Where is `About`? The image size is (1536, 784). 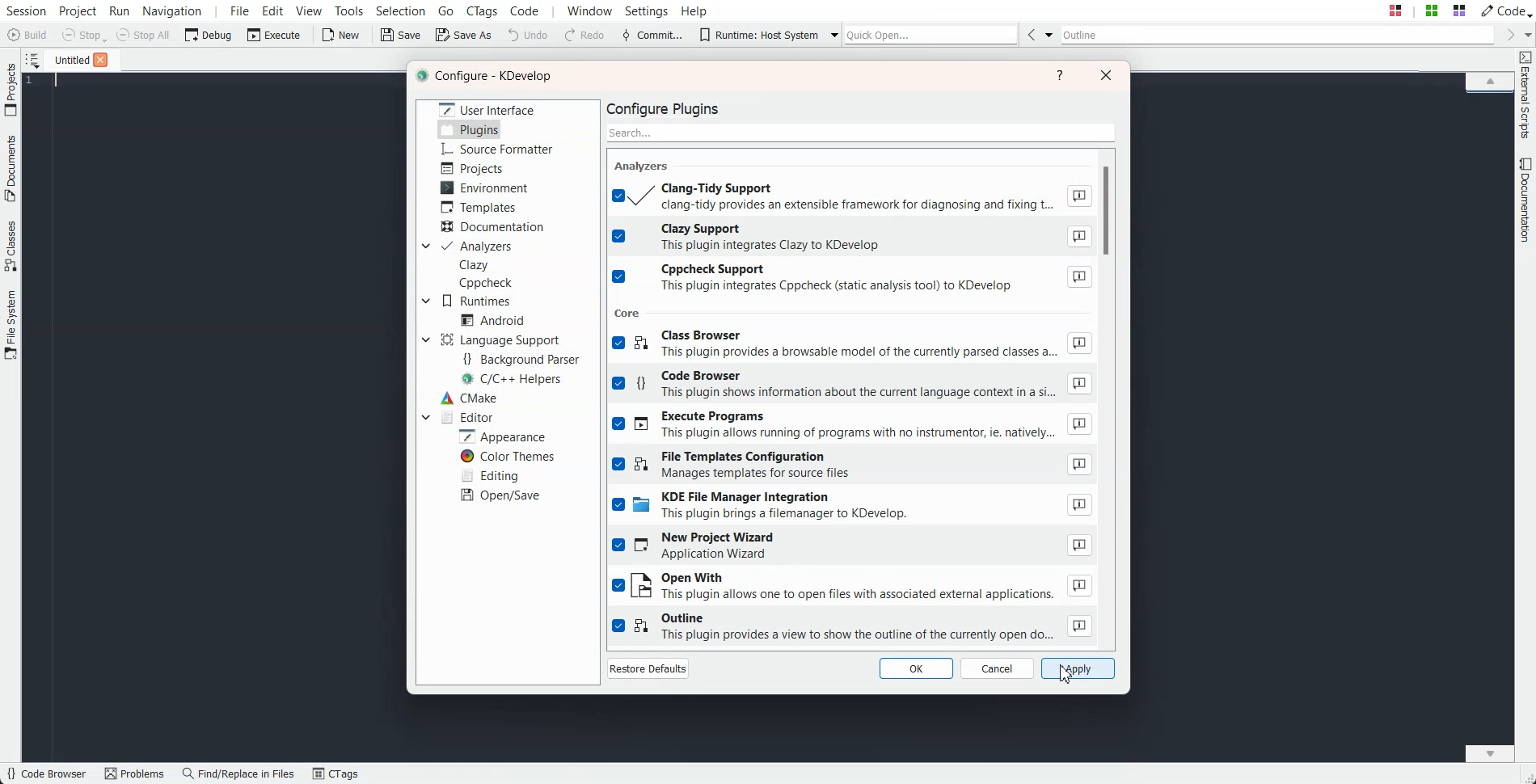 About is located at coordinates (1078, 237).